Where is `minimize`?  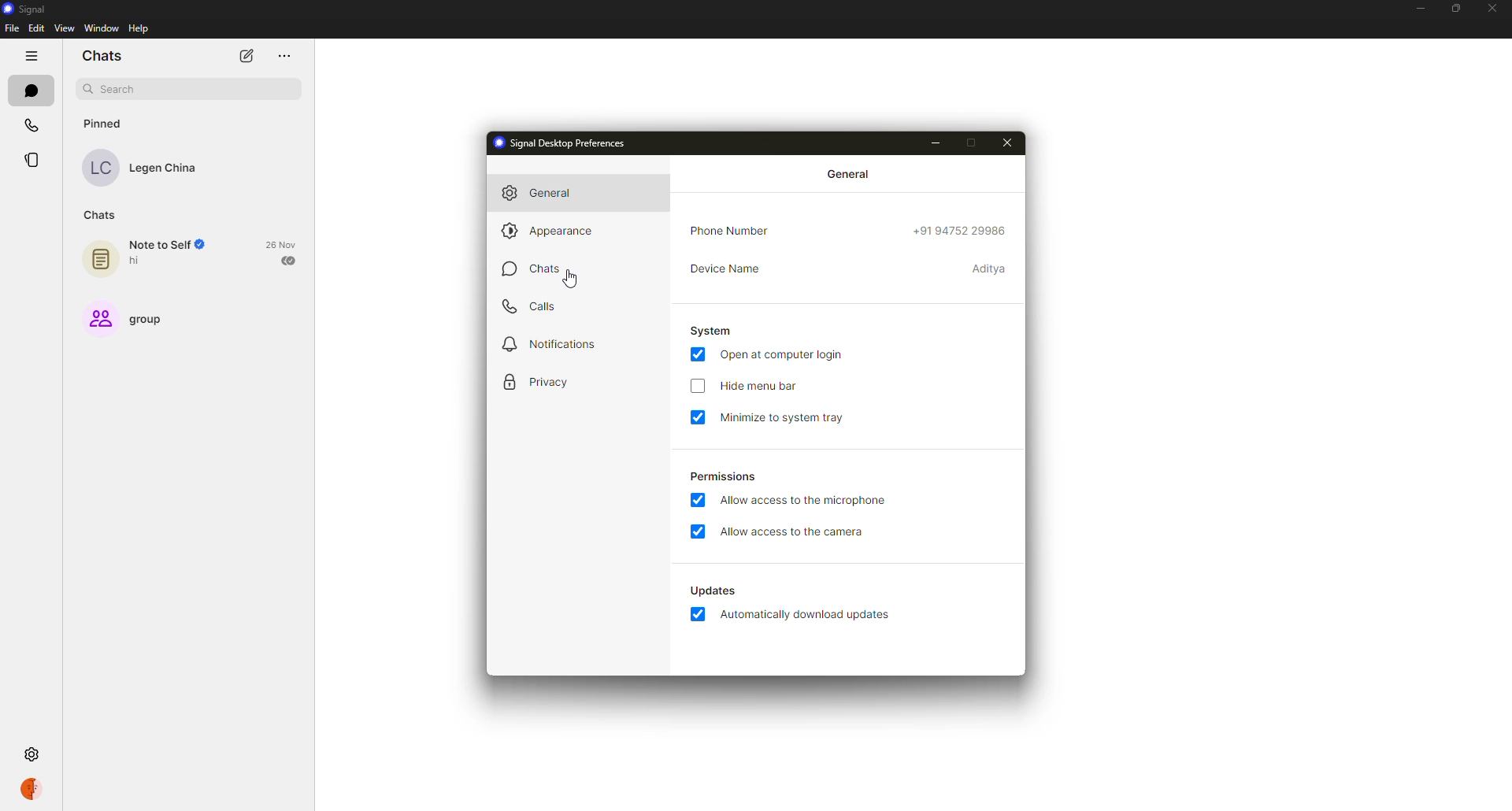 minimize is located at coordinates (1417, 9).